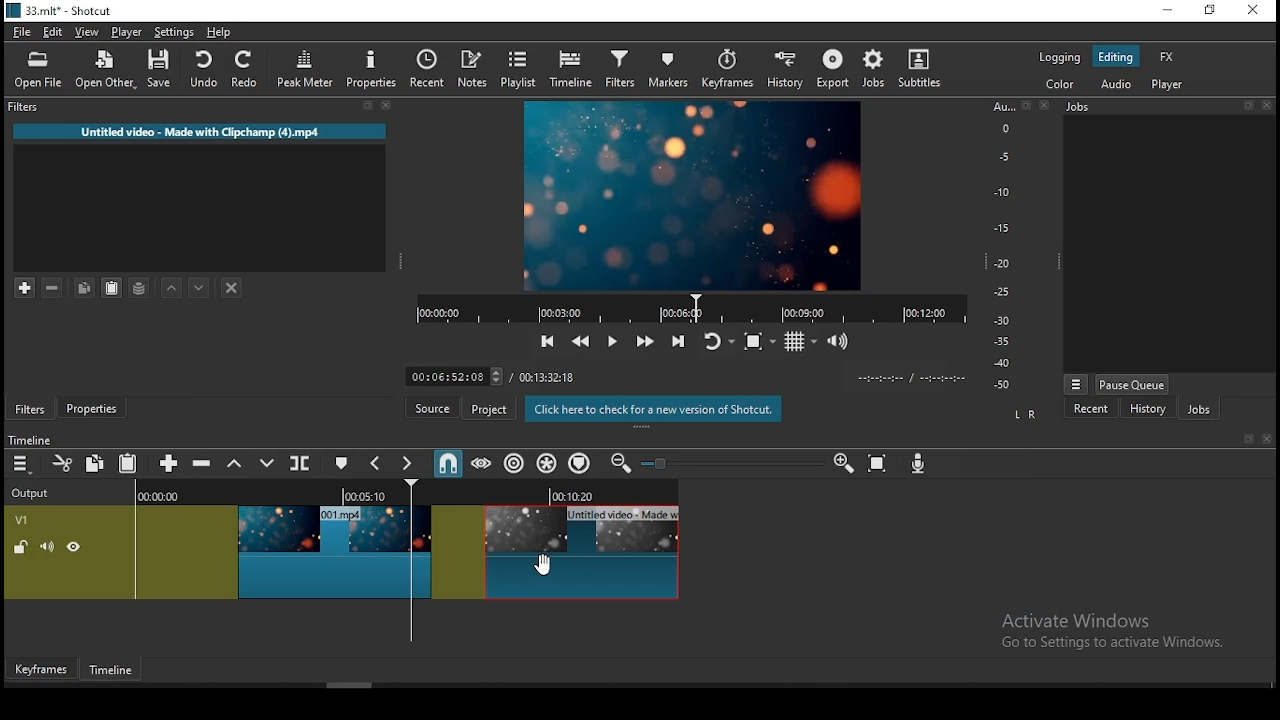  Describe the element at coordinates (654, 409) in the screenshot. I see `Click here to check for a new version of Shotcut.` at that location.